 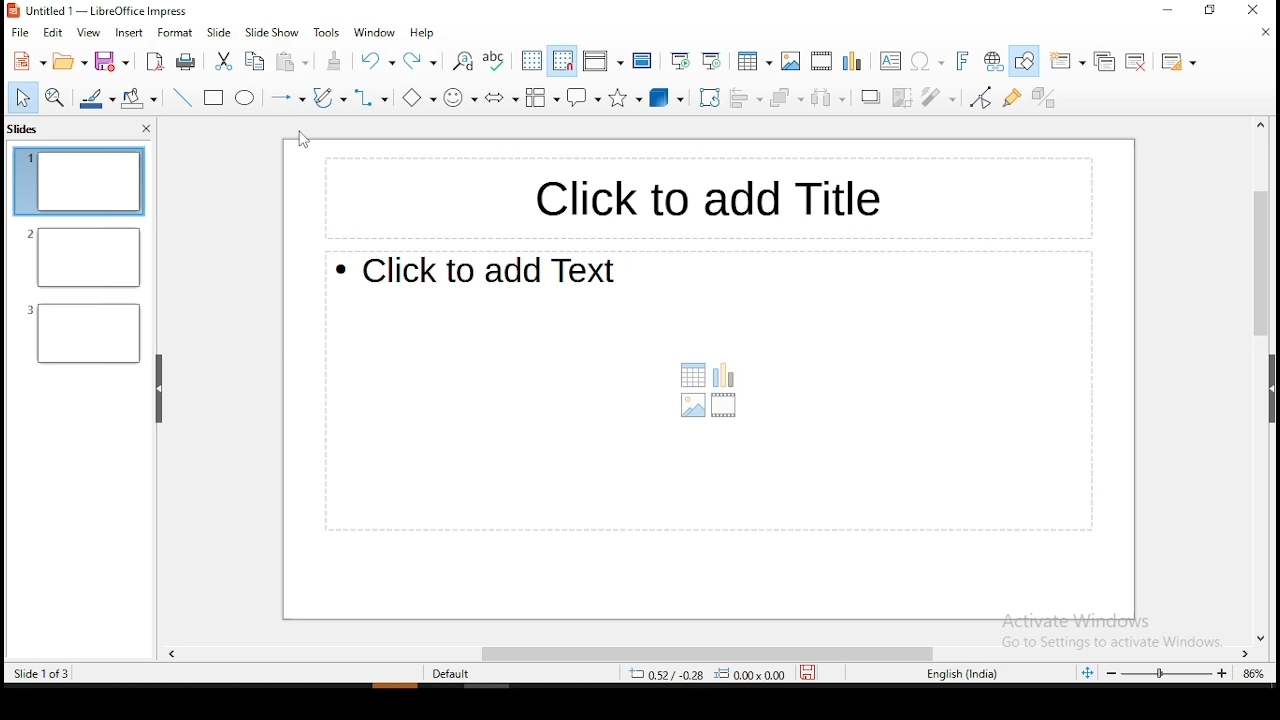 What do you see at coordinates (23, 128) in the screenshot?
I see `slides` at bounding box center [23, 128].